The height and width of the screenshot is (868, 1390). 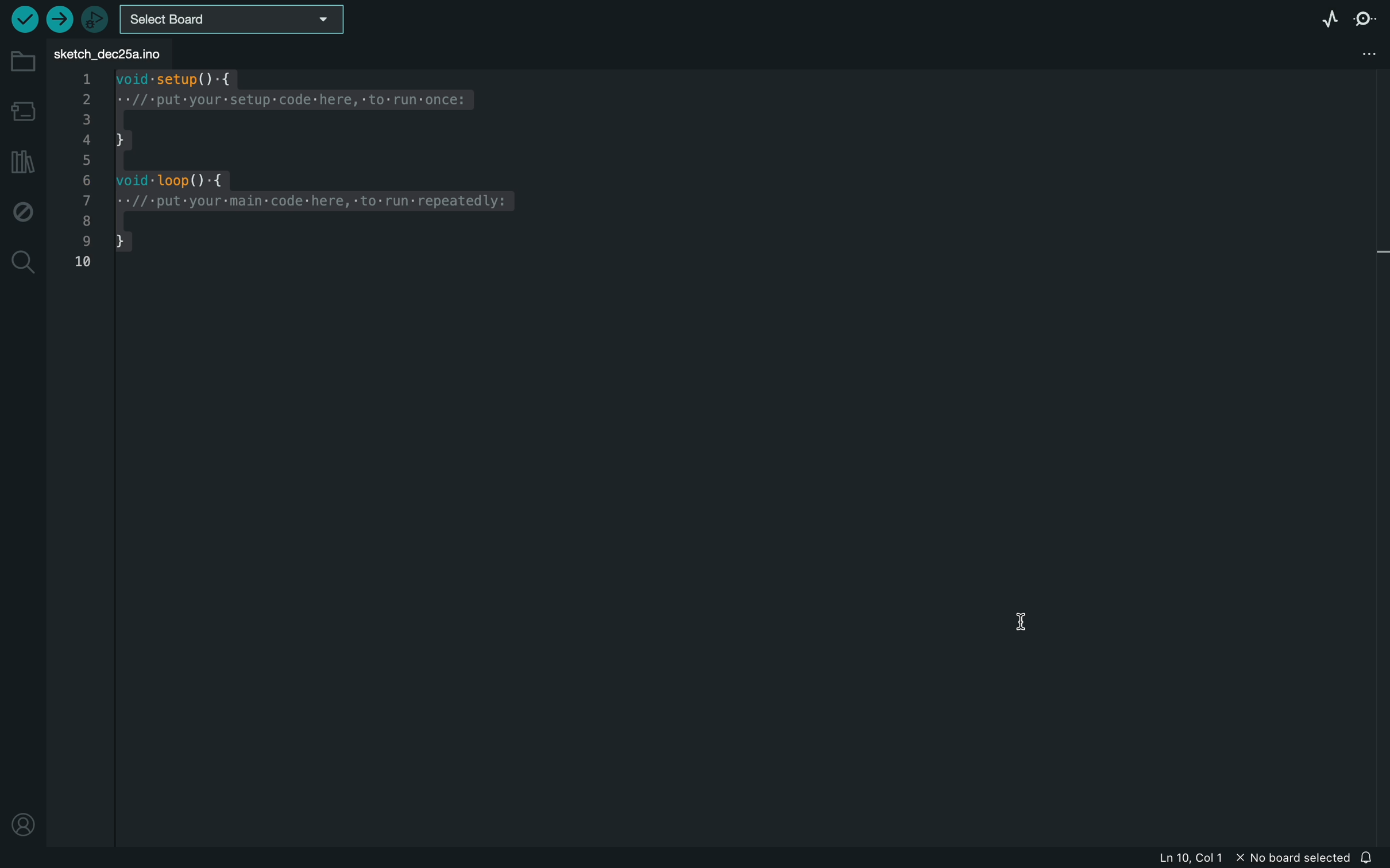 What do you see at coordinates (1366, 17) in the screenshot?
I see `serial  monitor` at bounding box center [1366, 17].